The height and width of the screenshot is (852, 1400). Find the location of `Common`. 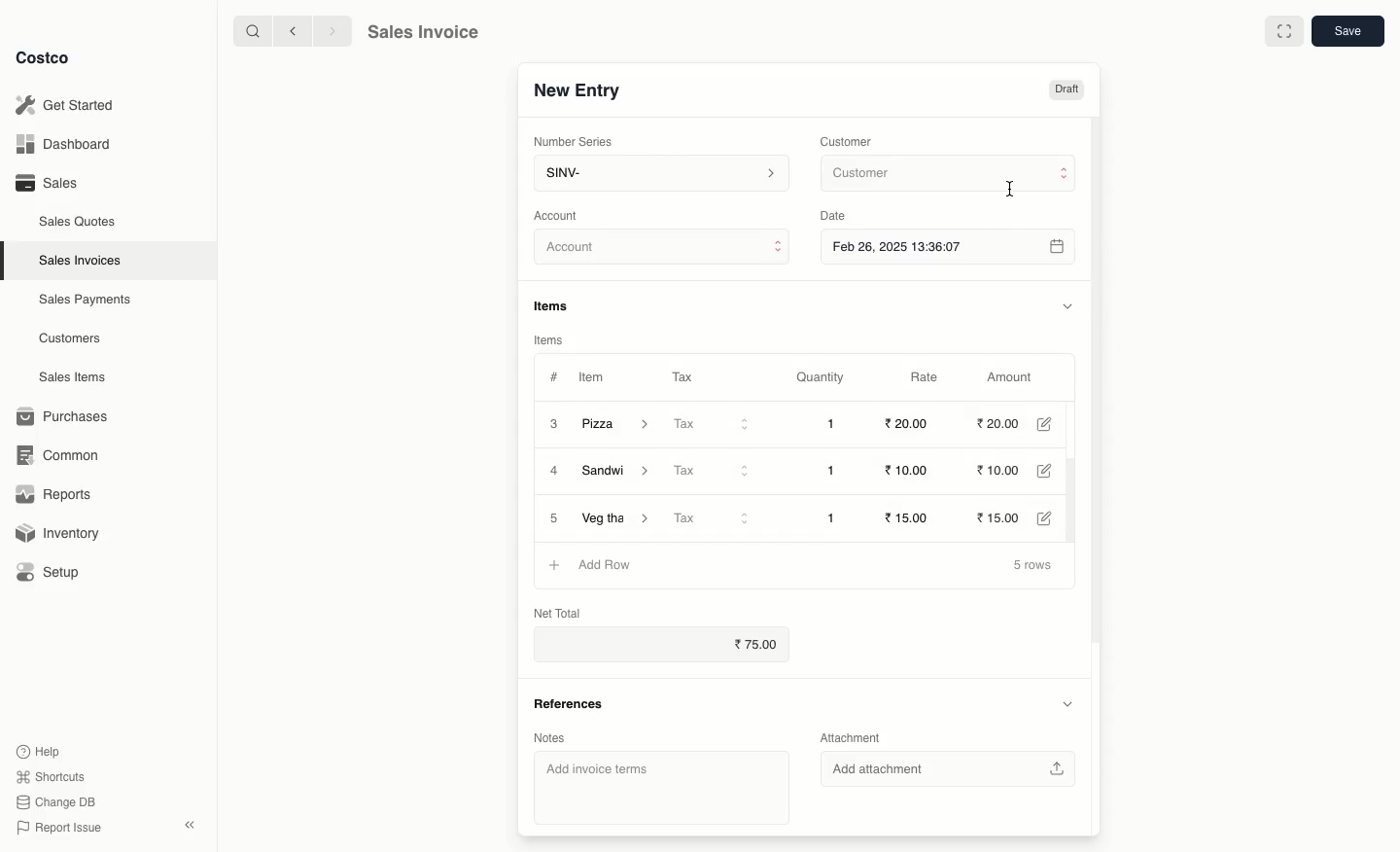

Common is located at coordinates (66, 455).